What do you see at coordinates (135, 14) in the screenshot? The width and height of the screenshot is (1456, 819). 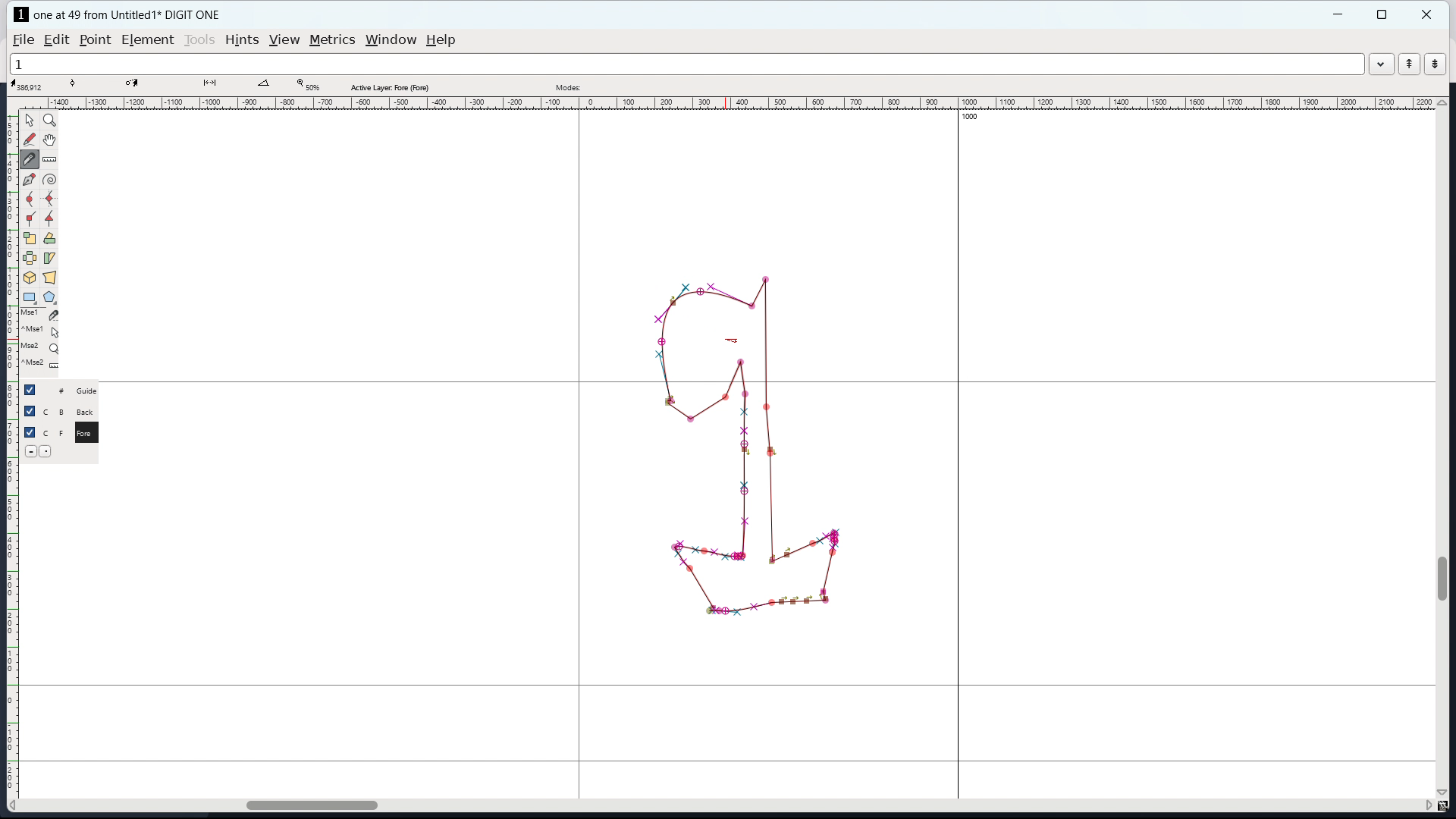 I see `one at 49 from Untitled1* DIGIT ONE` at bounding box center [135, 14].